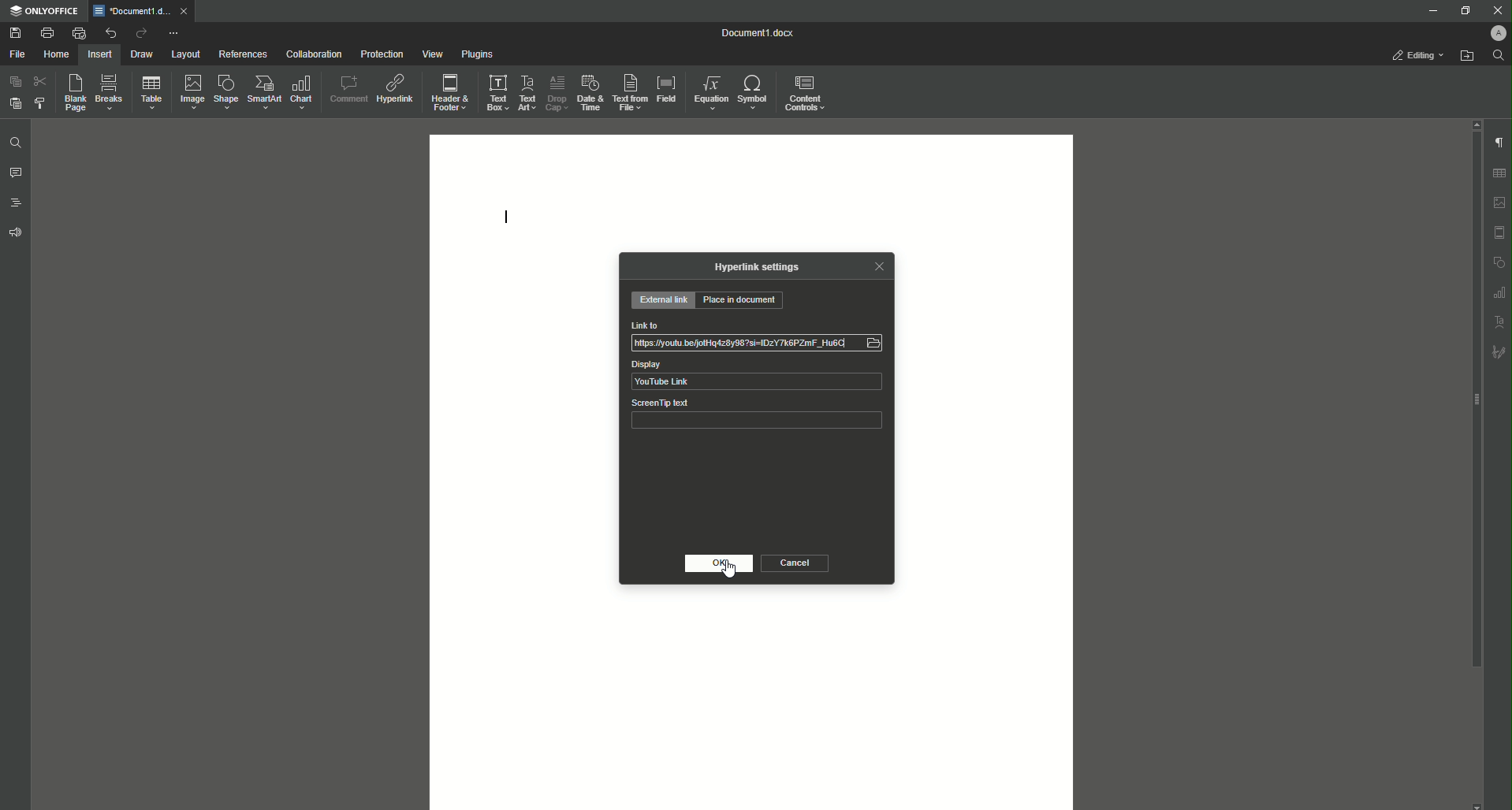  What do you see at coordinates (1427, 10) in the screenshot?
I see `Minimize` at bounding box center [1427, 10].